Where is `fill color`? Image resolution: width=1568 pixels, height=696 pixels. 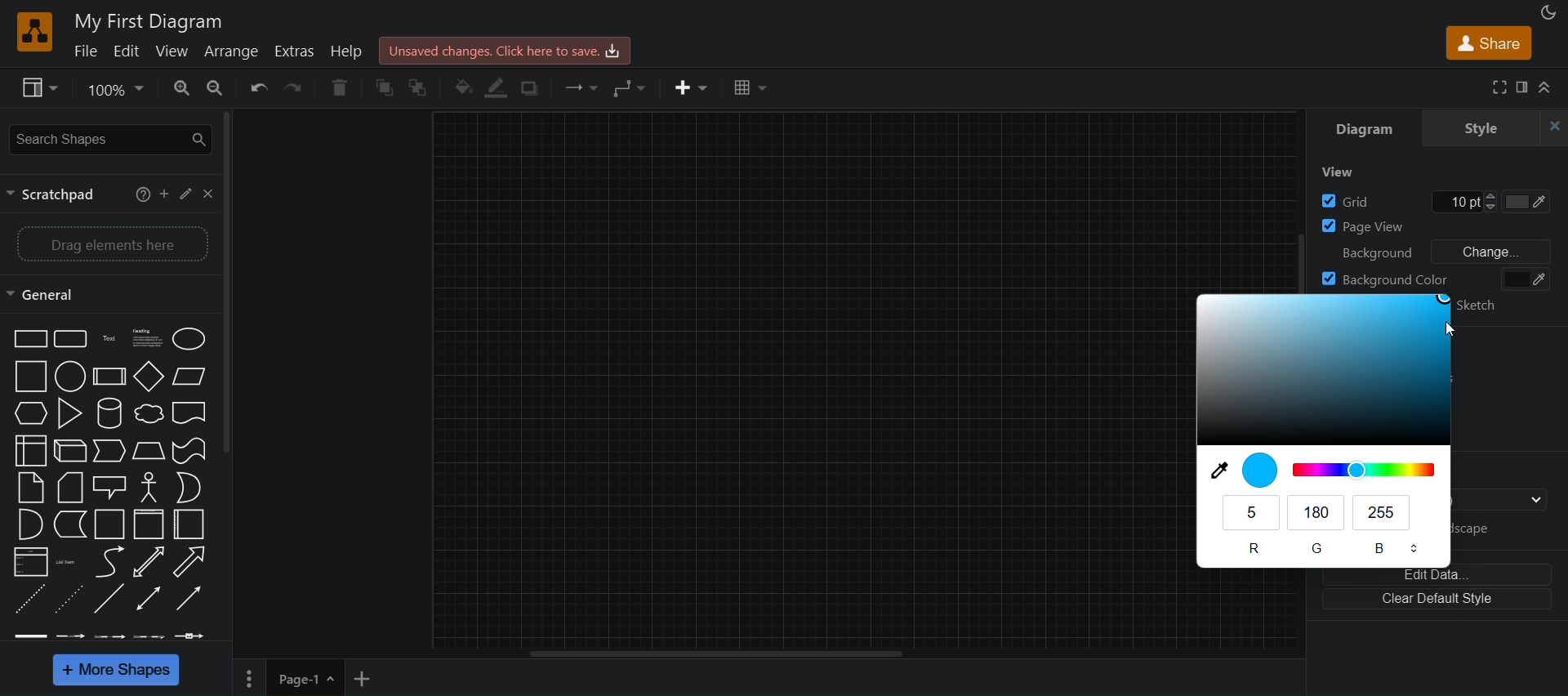 fill color is located at coordinates (463, 90).